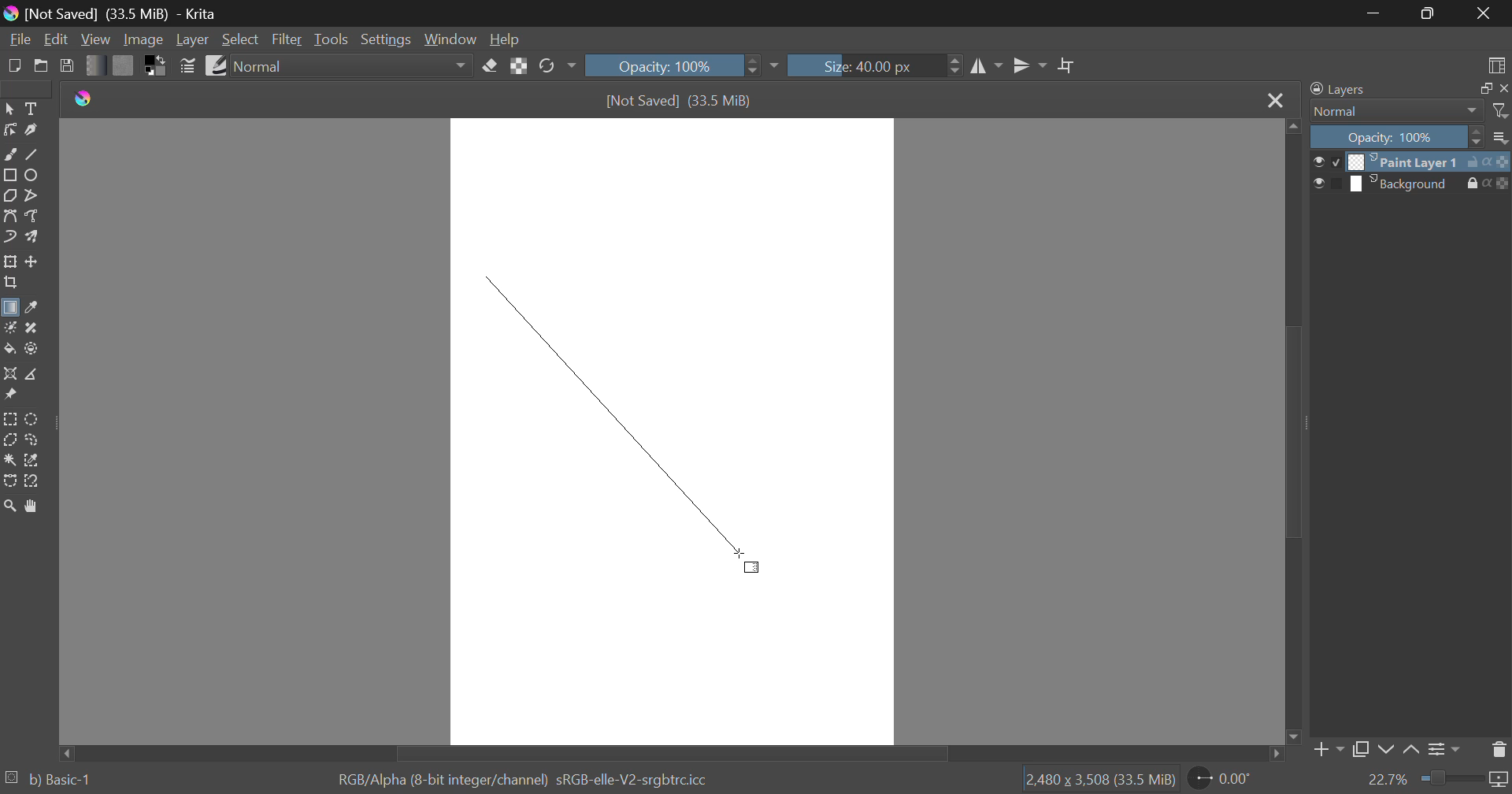 The height and width of the screenshot is (794, 1512). What do you see at coordinates (9, 441) in the screenshot?
I see `Polygon Selection` at bounding box center [9, 441].